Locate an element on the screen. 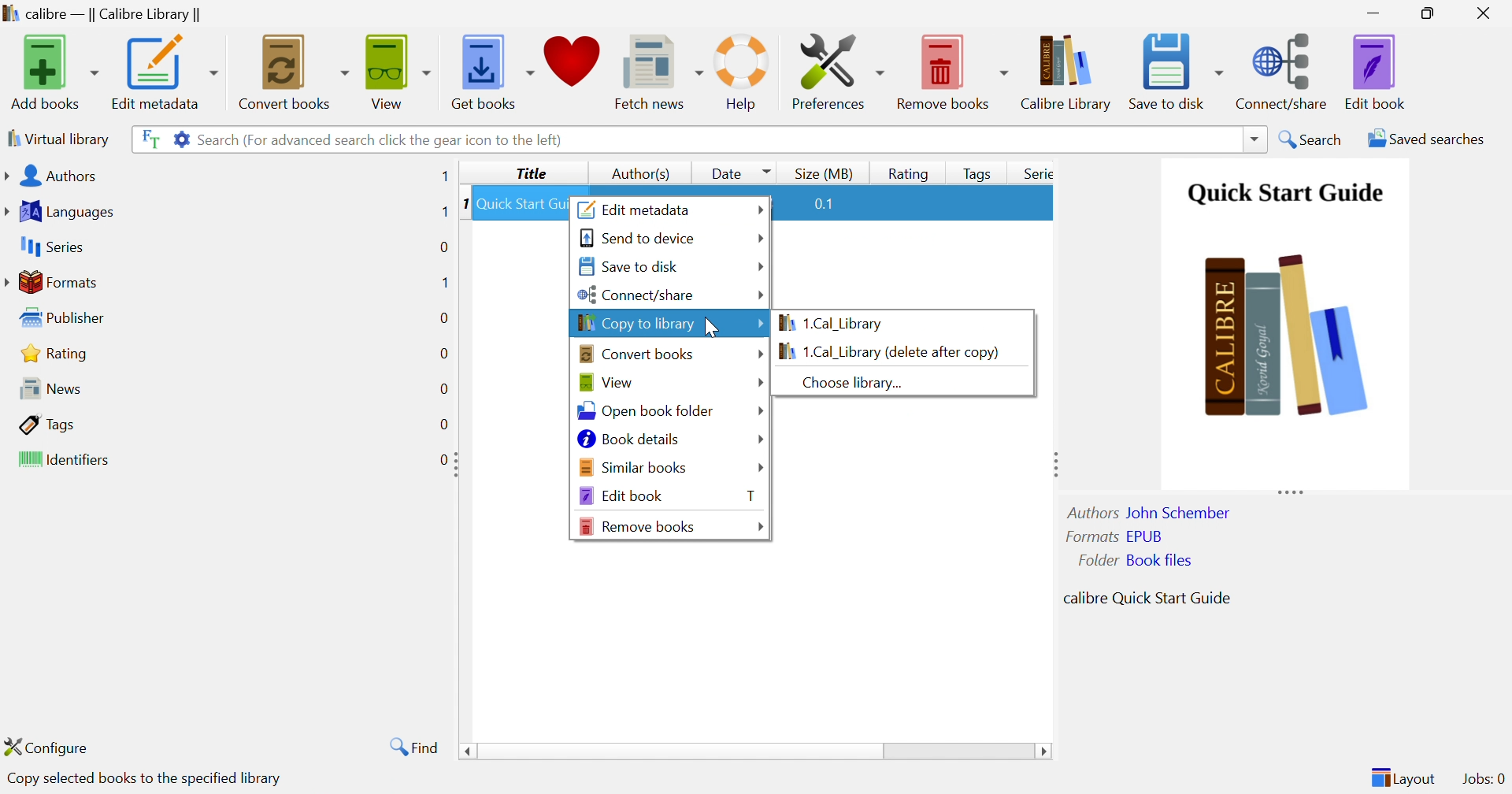  Find is located at coordinates (416, 747).